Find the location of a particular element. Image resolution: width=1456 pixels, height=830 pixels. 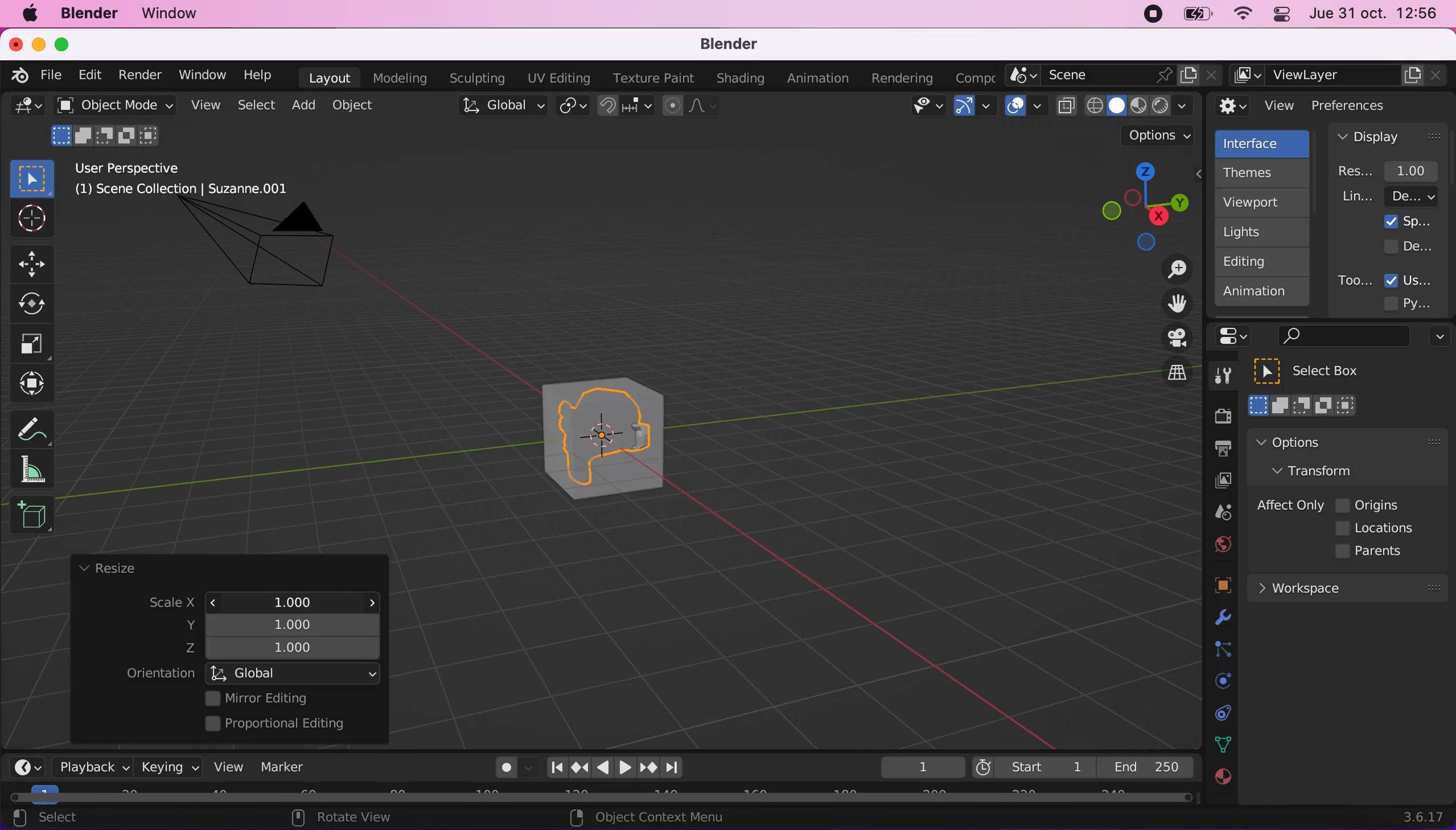

scene is located at coordinates (1114, 76).